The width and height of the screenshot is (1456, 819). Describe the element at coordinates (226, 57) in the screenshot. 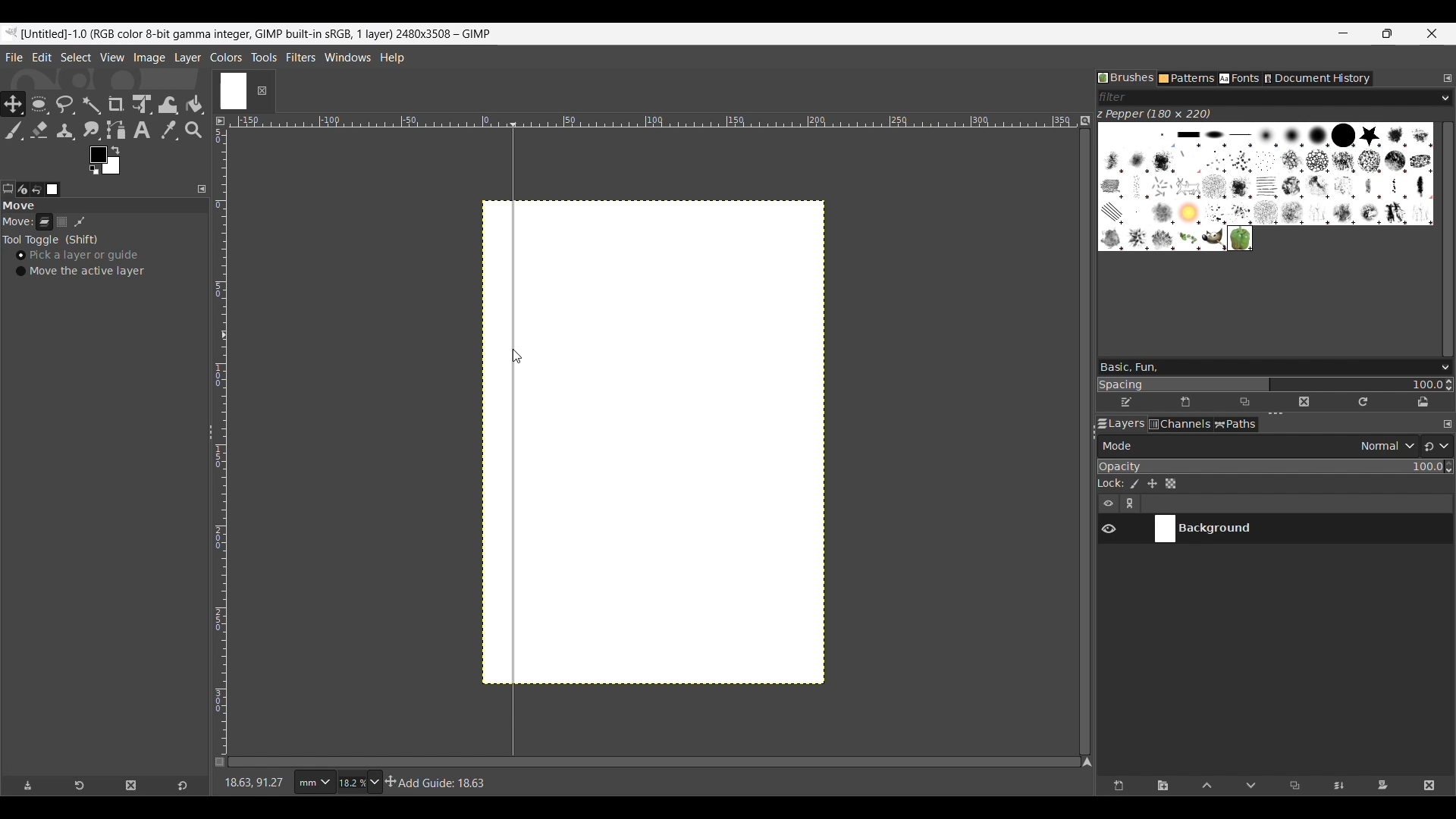

I see `Colors menu` at that location.